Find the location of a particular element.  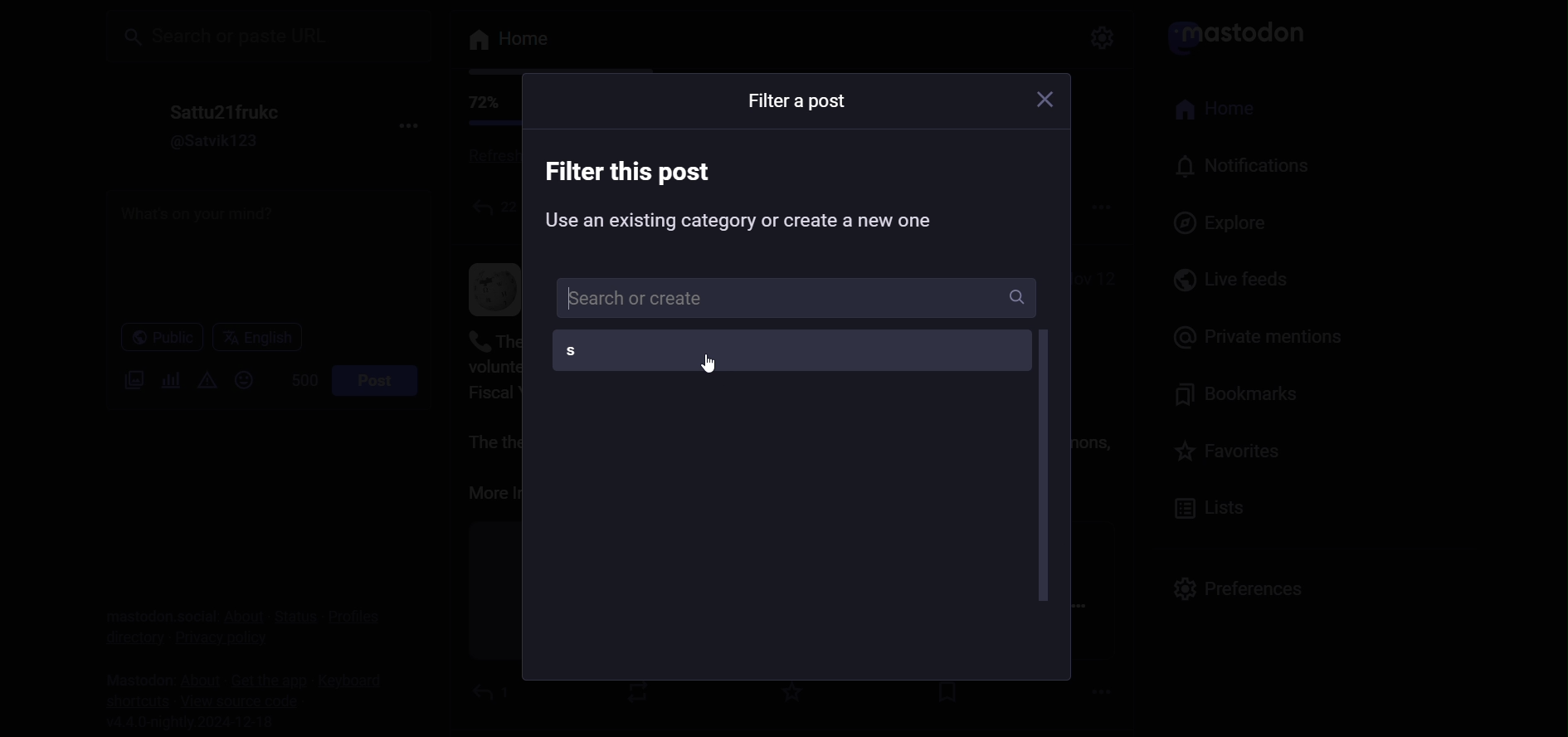

Filter this post is located at coordinates (631, 172).